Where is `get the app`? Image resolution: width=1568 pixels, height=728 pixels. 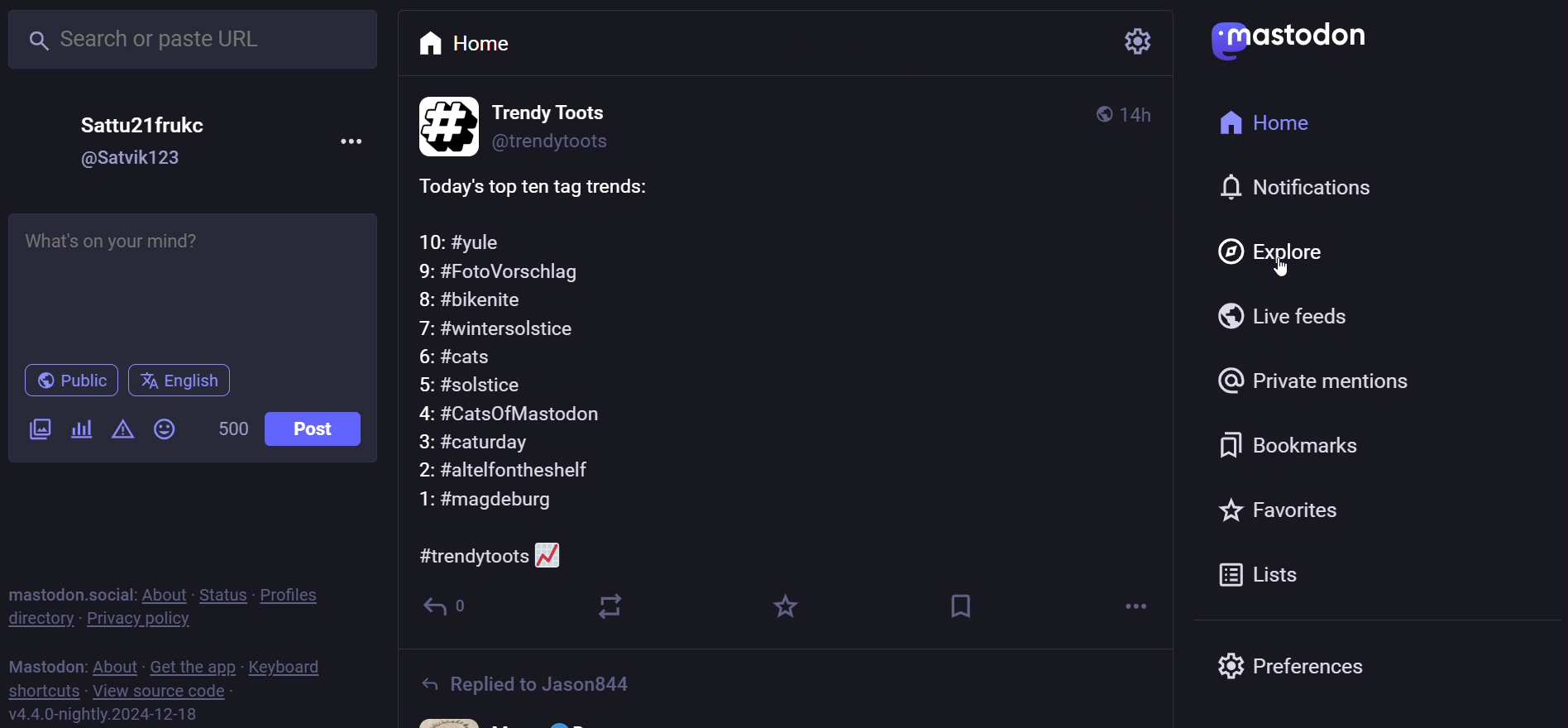
get the app is located at coordinates (192, 666).